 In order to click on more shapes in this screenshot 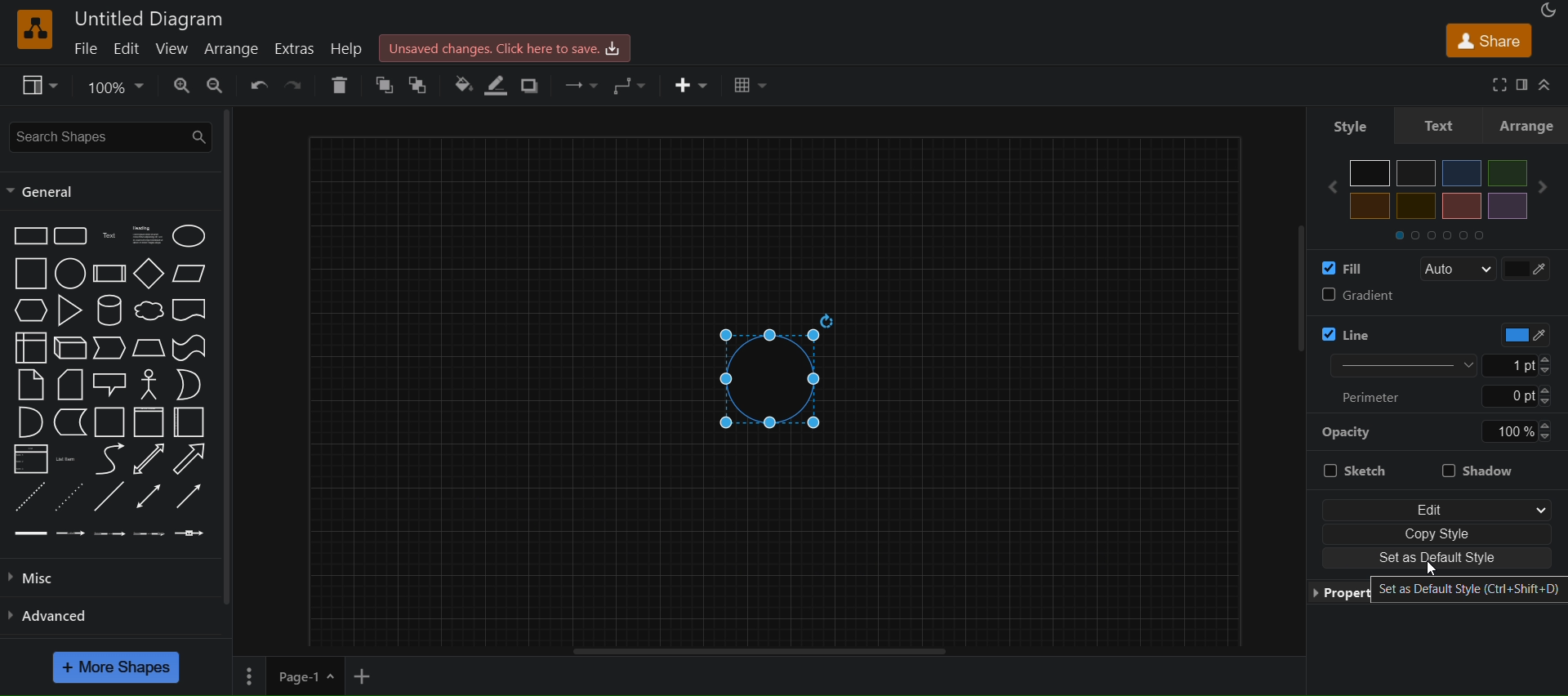, I will do `click(118, 667)`.